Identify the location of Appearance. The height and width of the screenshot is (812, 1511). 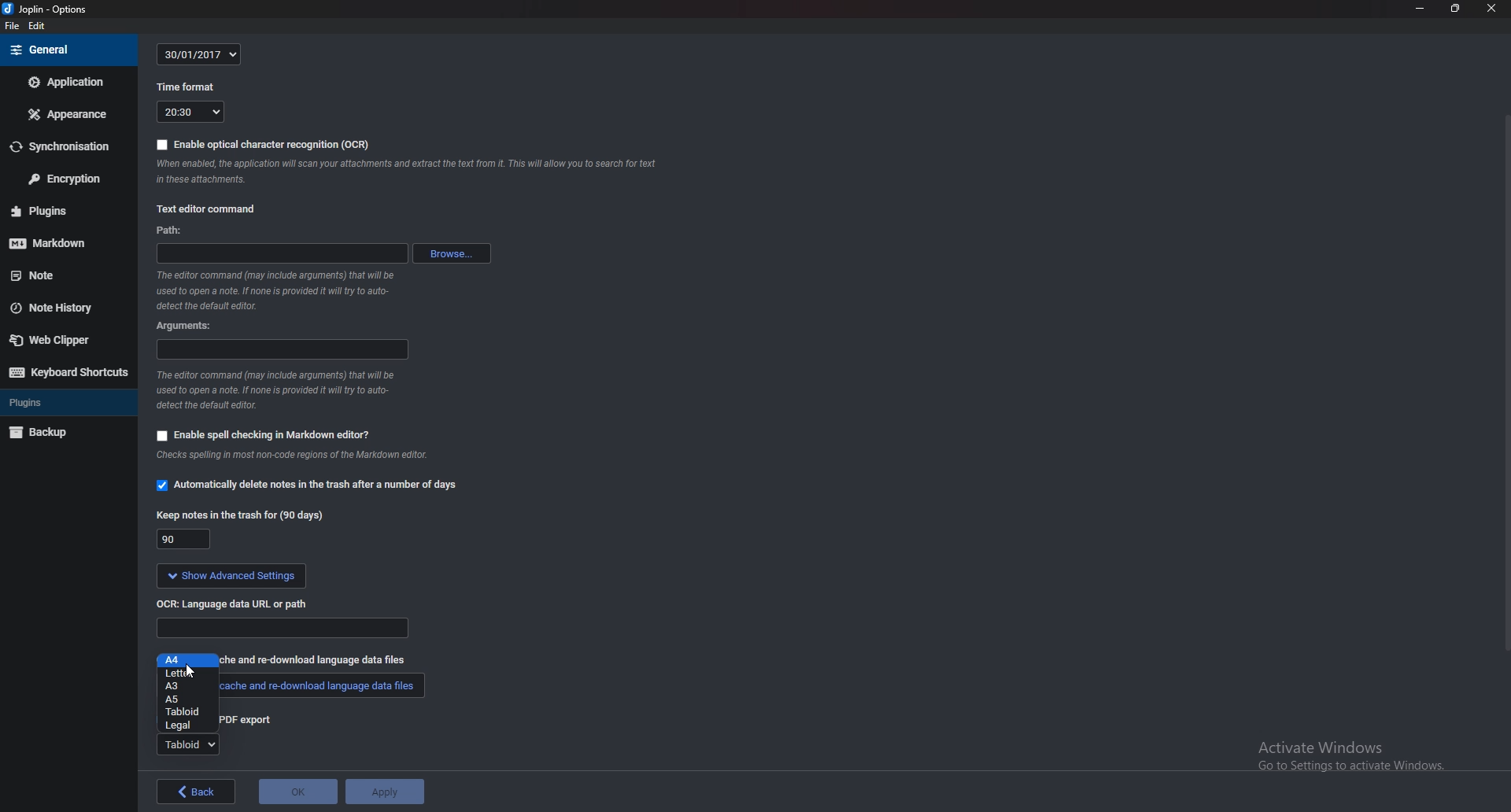
(68, 114).